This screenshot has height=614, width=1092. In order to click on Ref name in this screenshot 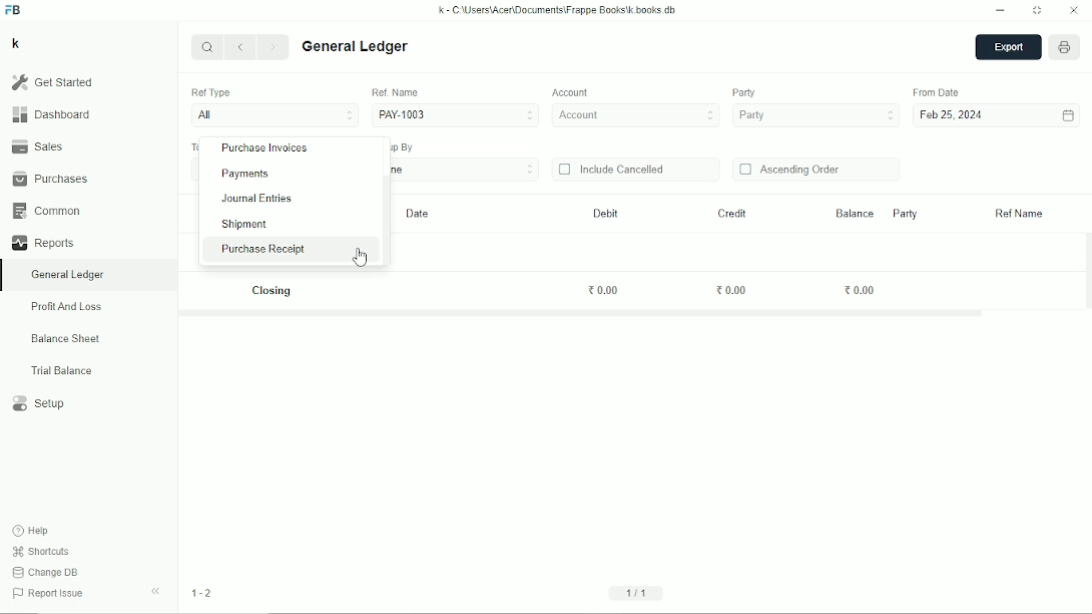, I will do `click(1020, 214)`.